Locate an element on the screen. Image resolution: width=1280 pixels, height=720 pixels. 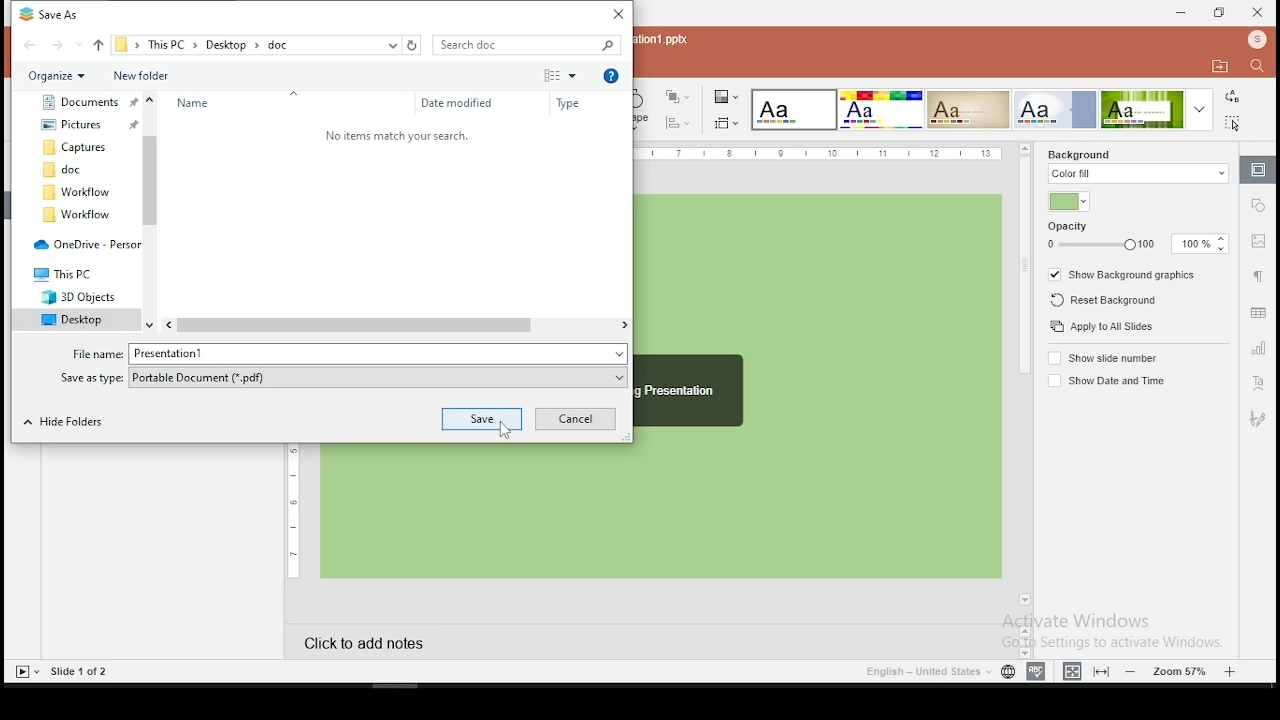
fit to slide is located at coordinates (1072, 669).